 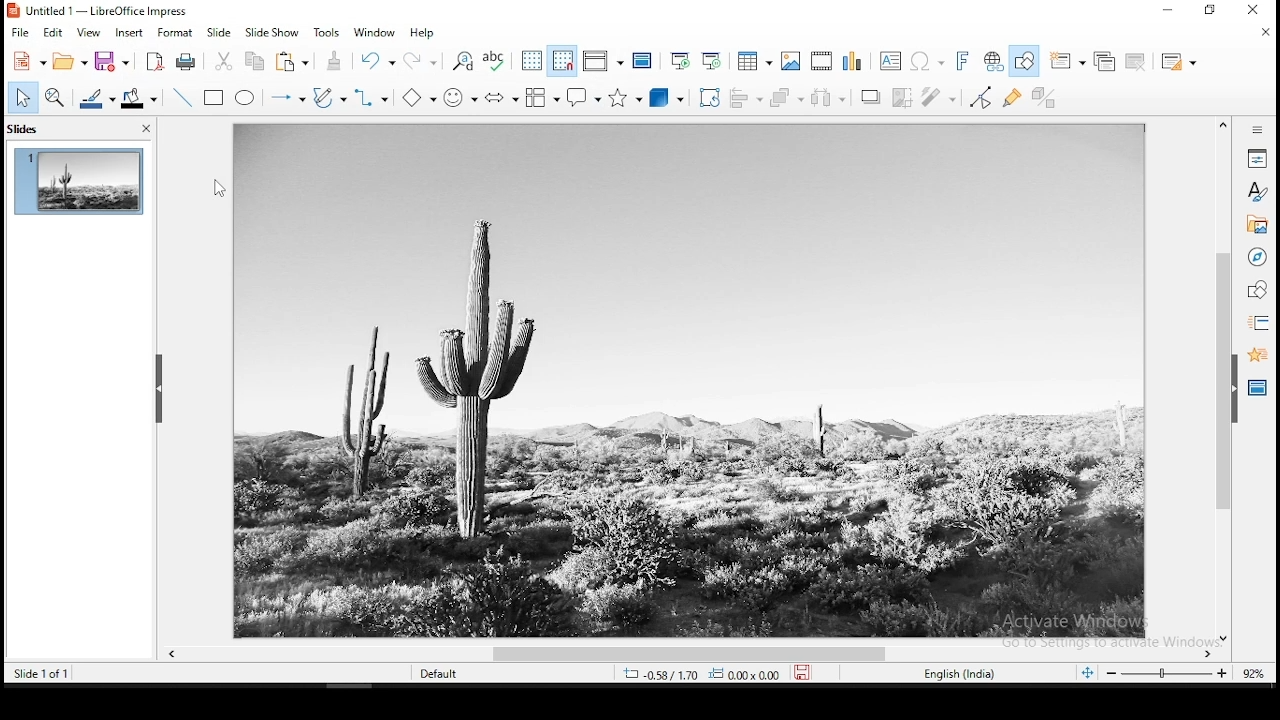 What do you see at coordinates (53, 32) in the screenshot?
I see `edit` at bounding box center [53, 32].